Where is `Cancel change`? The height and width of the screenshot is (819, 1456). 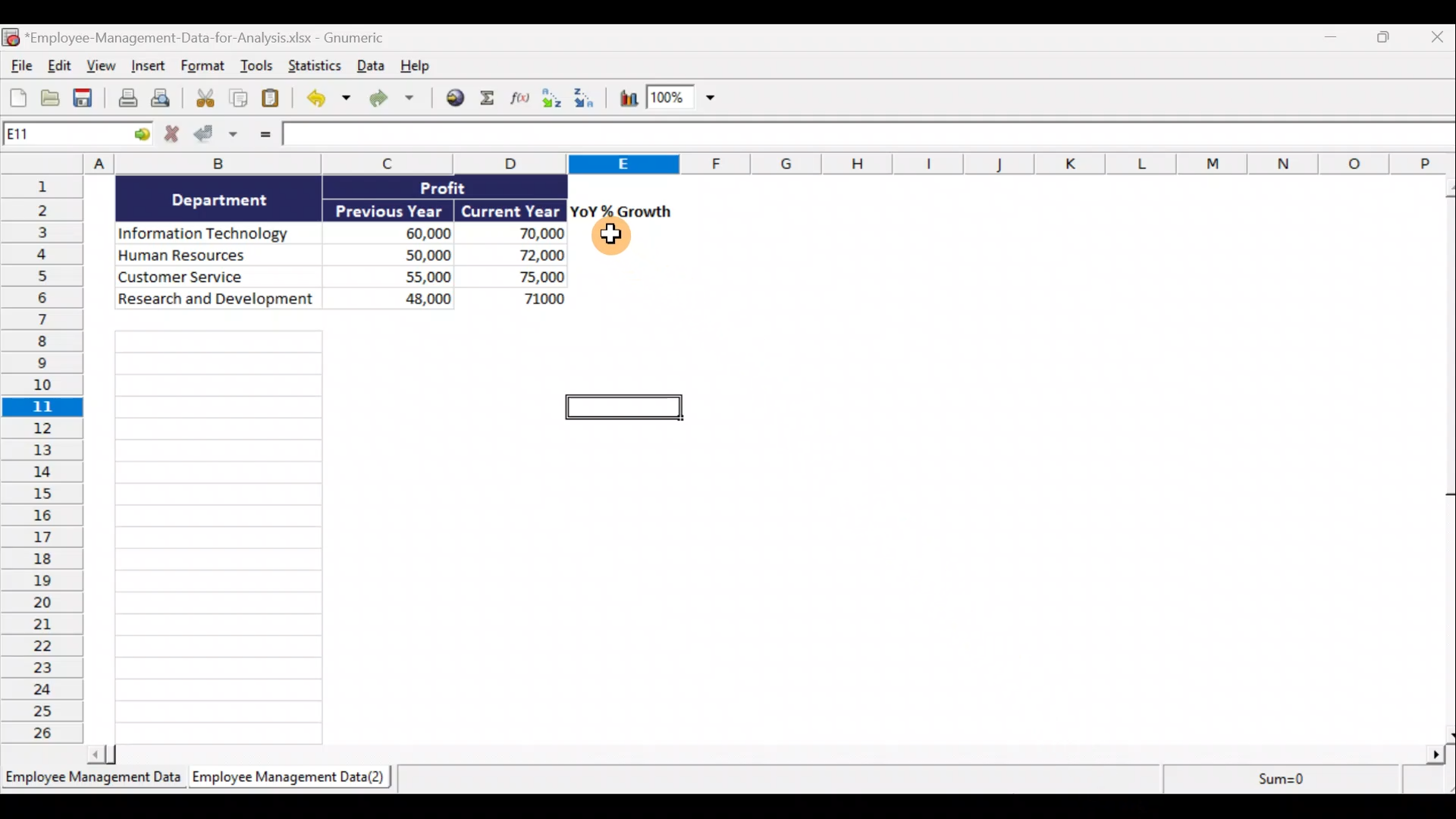 Cancel change is located at coordinates (174, 134).